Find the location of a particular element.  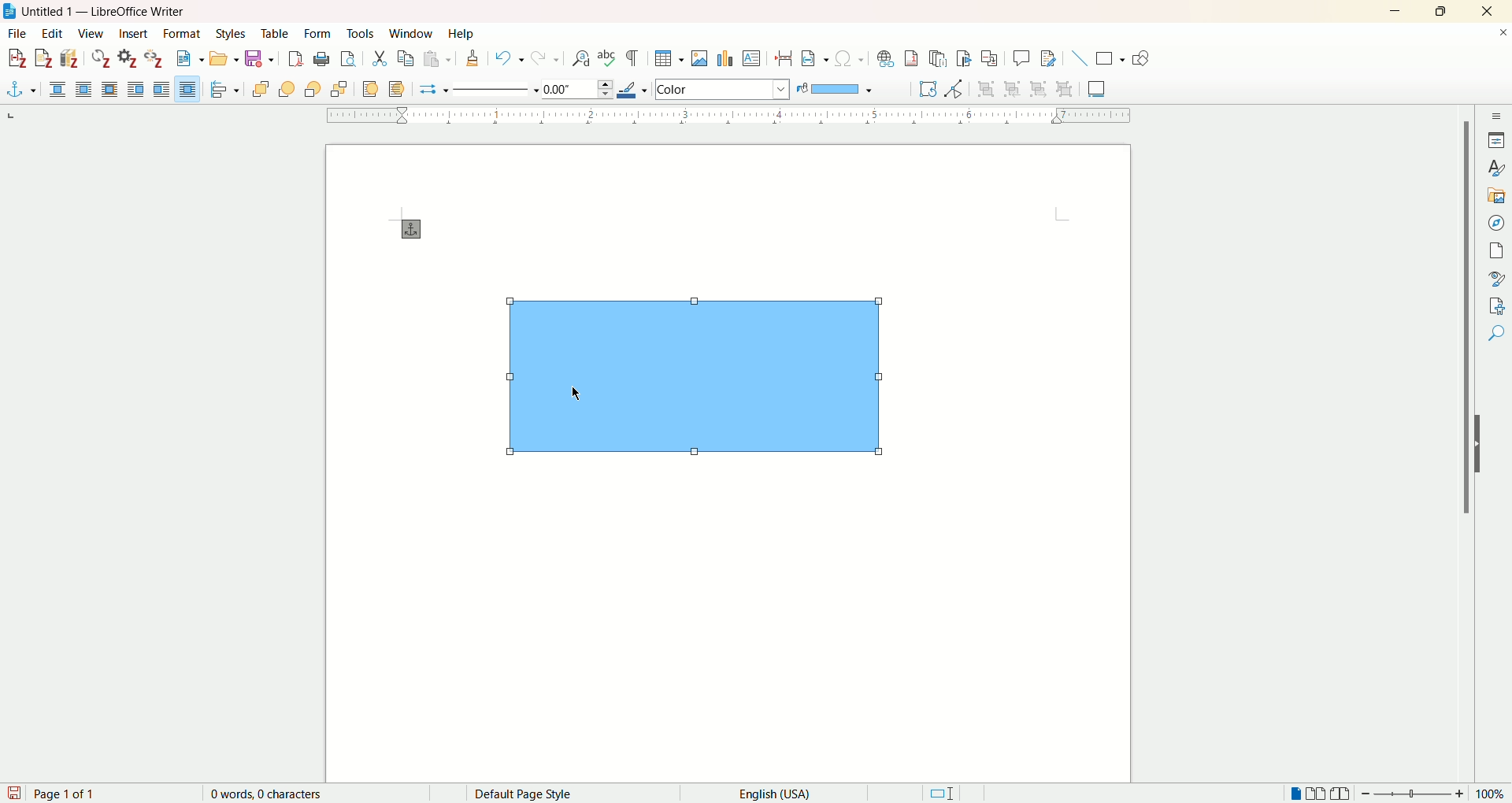

file is located at coordinates (16, 32).